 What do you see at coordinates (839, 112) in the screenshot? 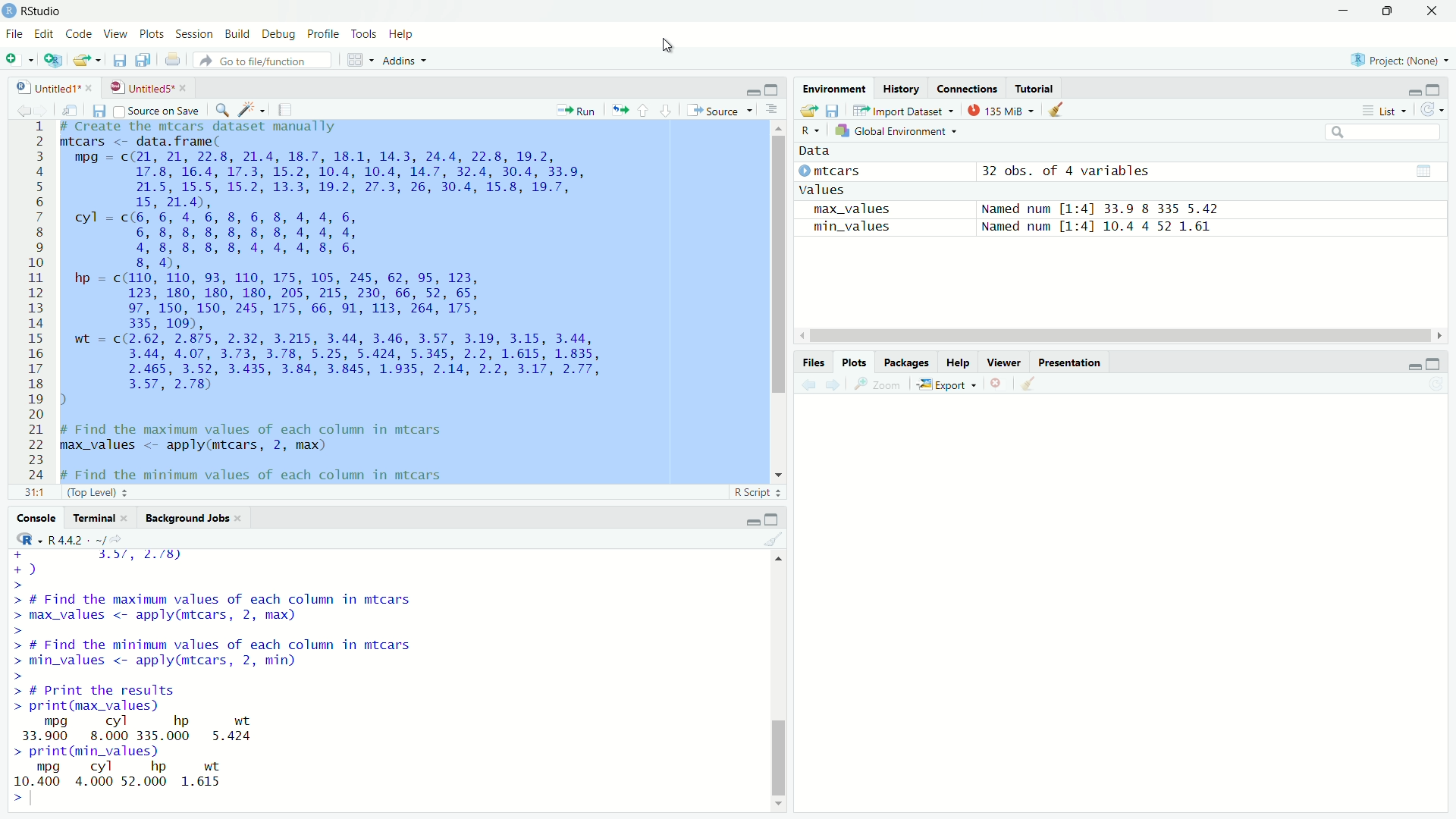
I see `files` at bounding box center [839, 112].